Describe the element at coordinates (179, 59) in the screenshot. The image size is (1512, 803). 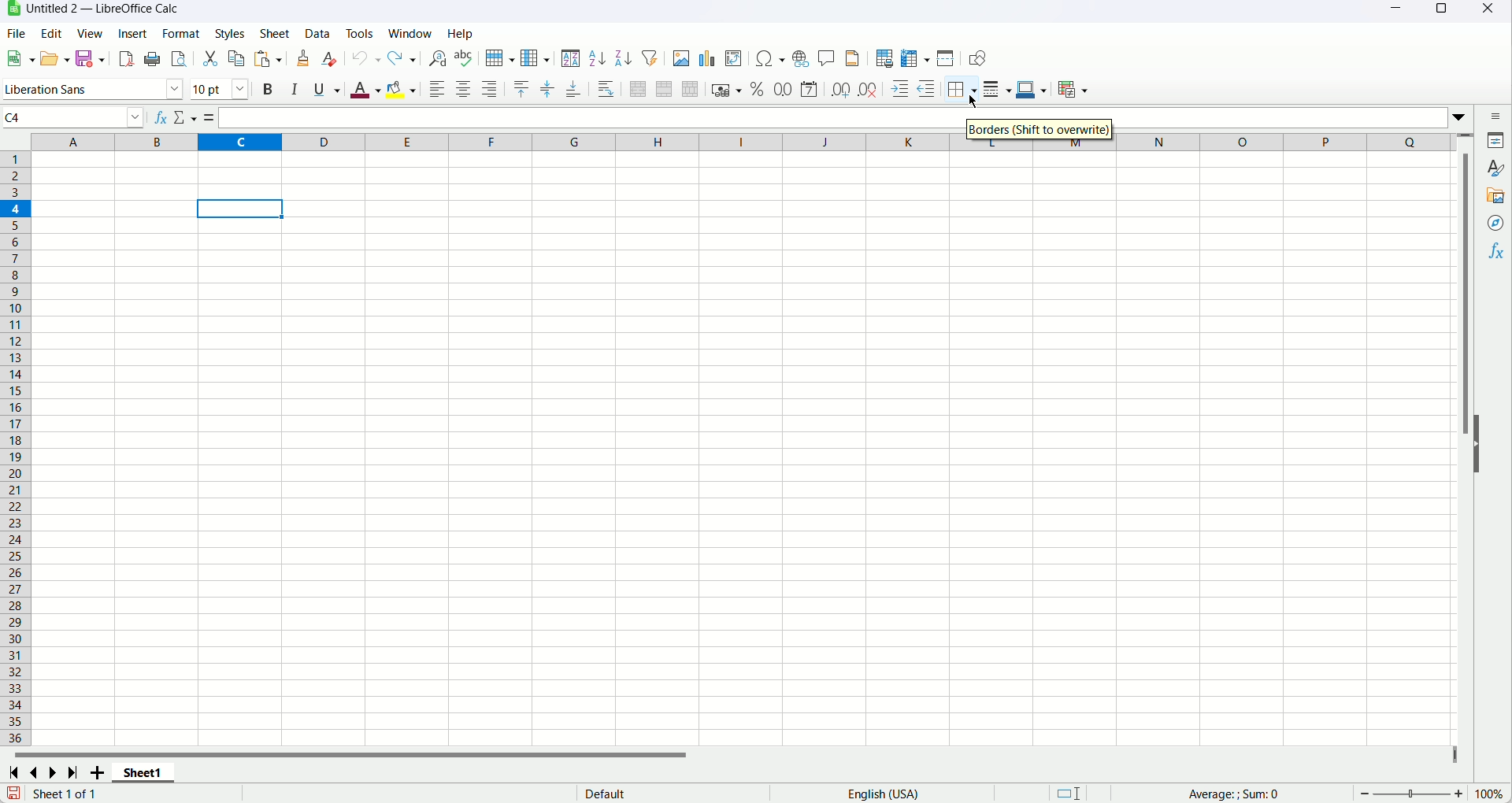
I see `Print preview` at that location.